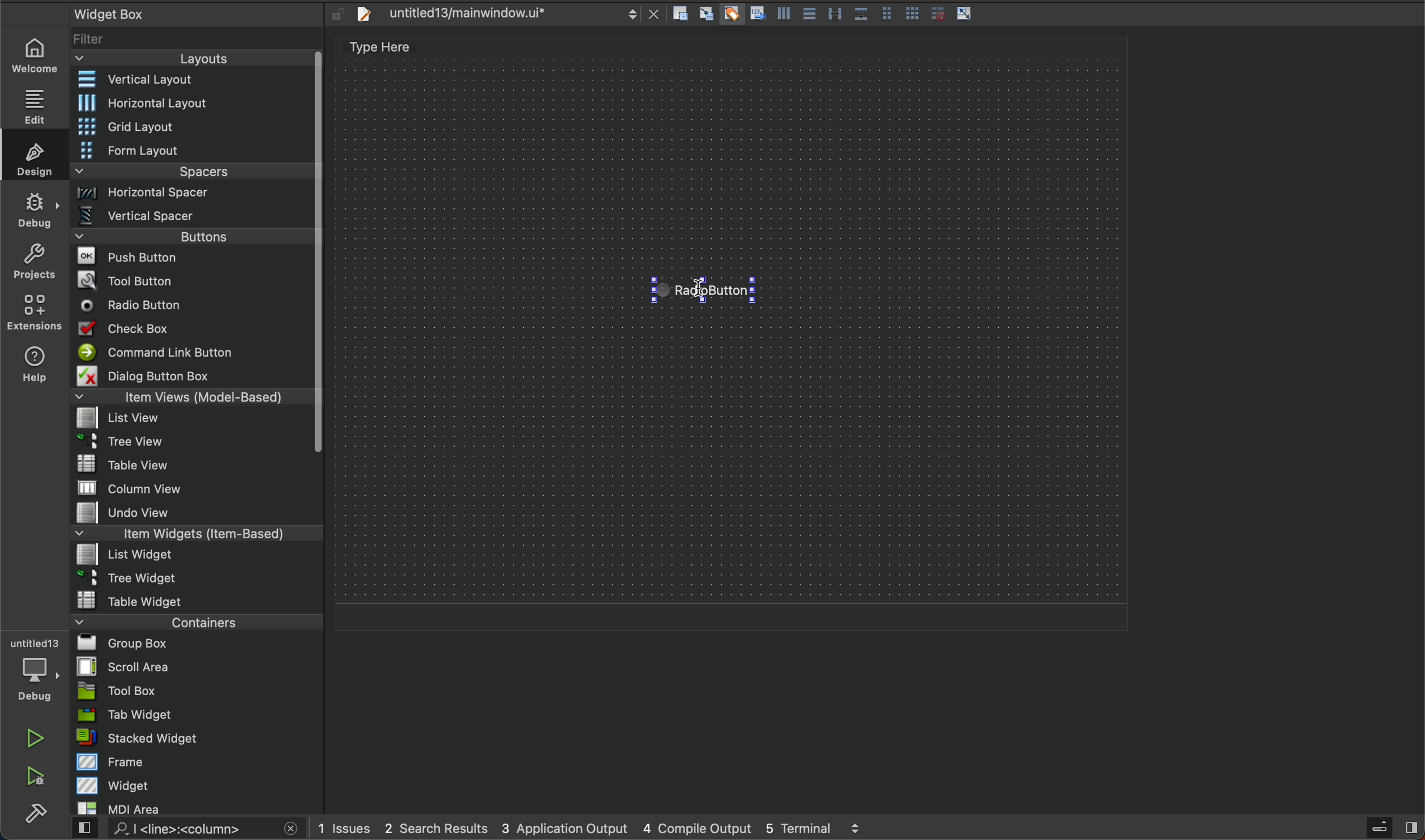  What do you see at coordinates (199, 785) in the screenshot?
I see `widget` at bounding box center [199, 785].